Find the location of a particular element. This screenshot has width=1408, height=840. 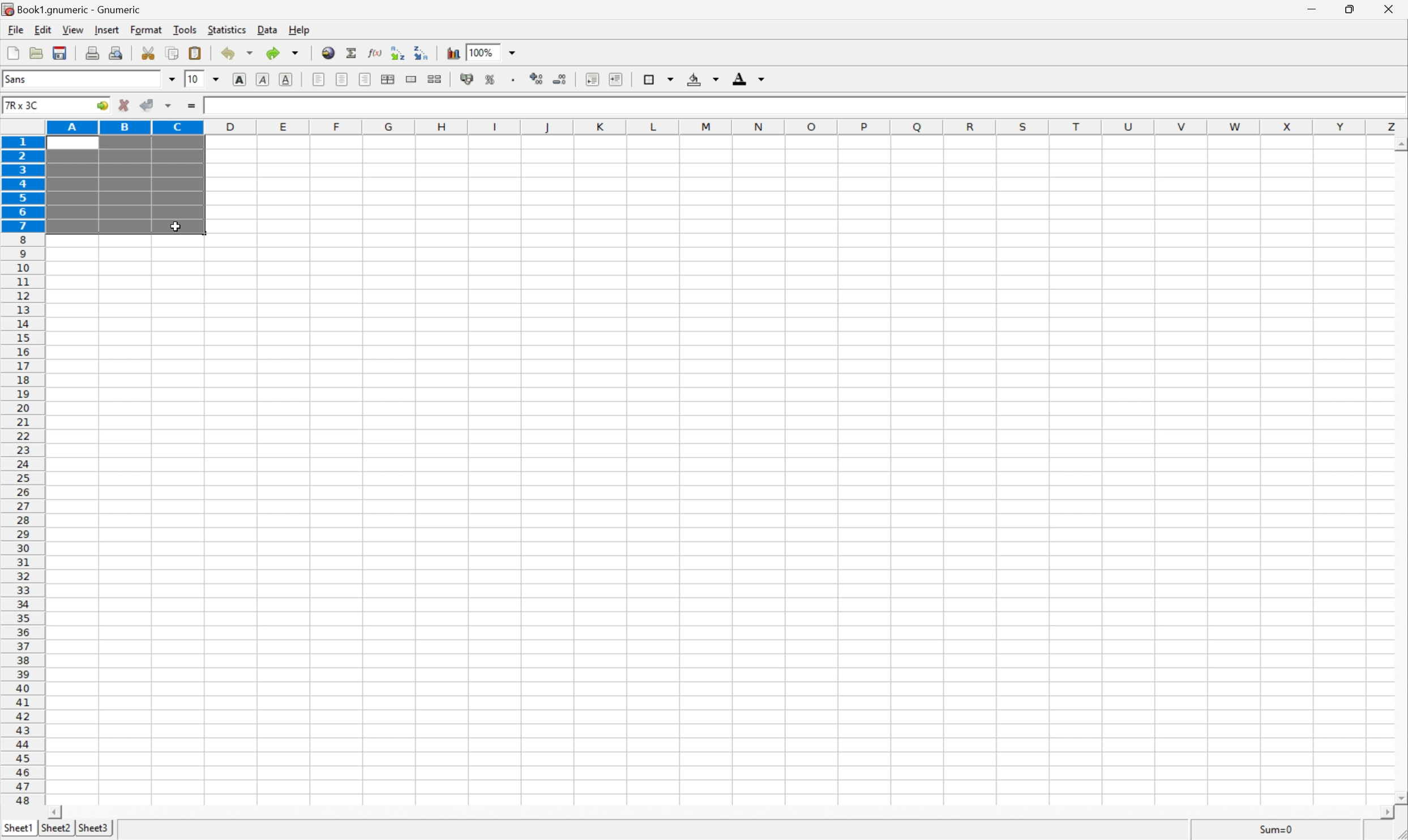

open file is located at coordinates (38, 51).